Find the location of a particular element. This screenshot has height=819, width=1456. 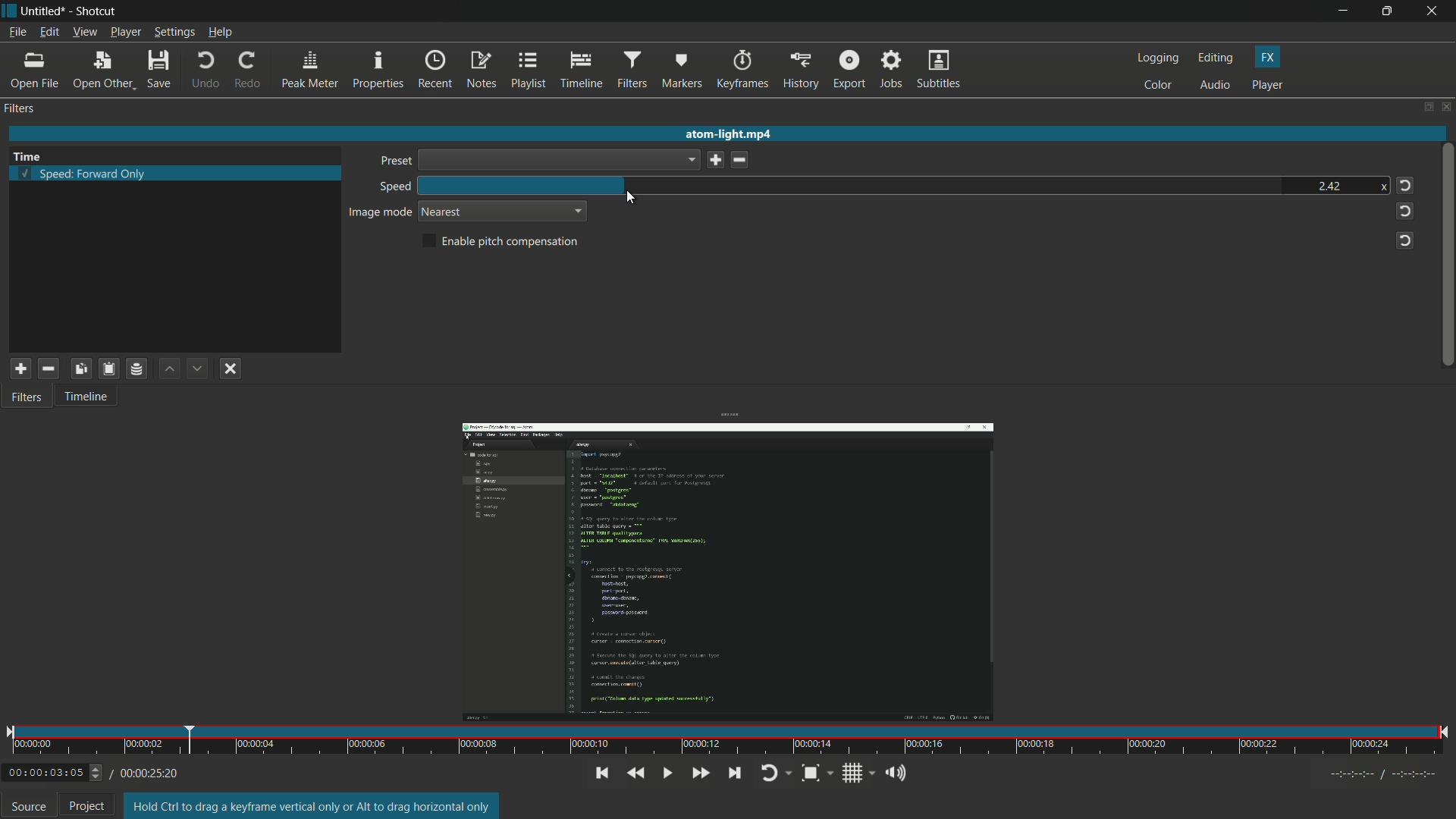

jobs is located at coordinates (893, 70).